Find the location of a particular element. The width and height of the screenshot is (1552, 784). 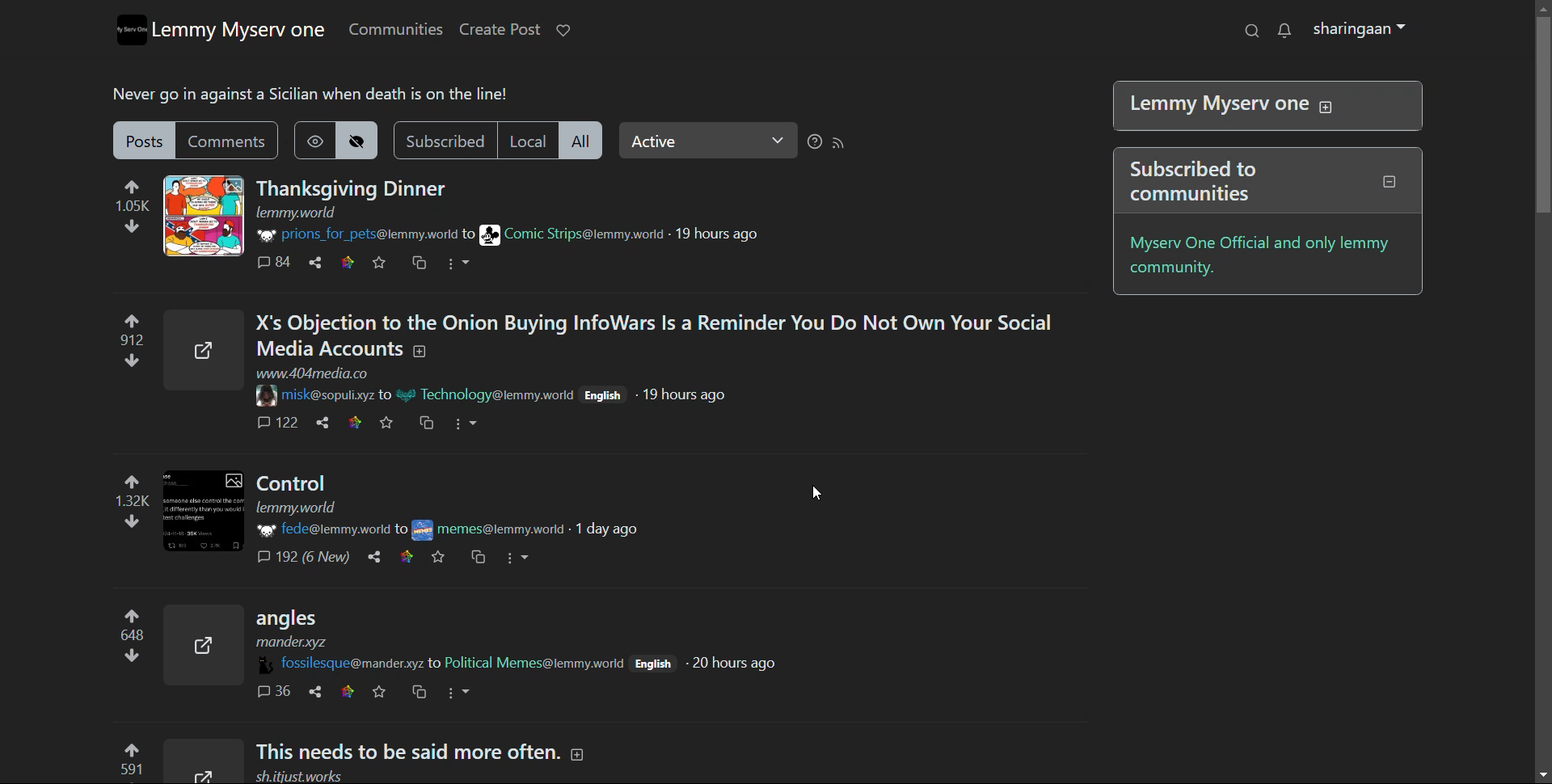

Post on "X's Objection to the Onion Buying InfoWars Is a Reminder You Do Not Own Your SocialMedia Accounts" is located at coordinates (654, 337).